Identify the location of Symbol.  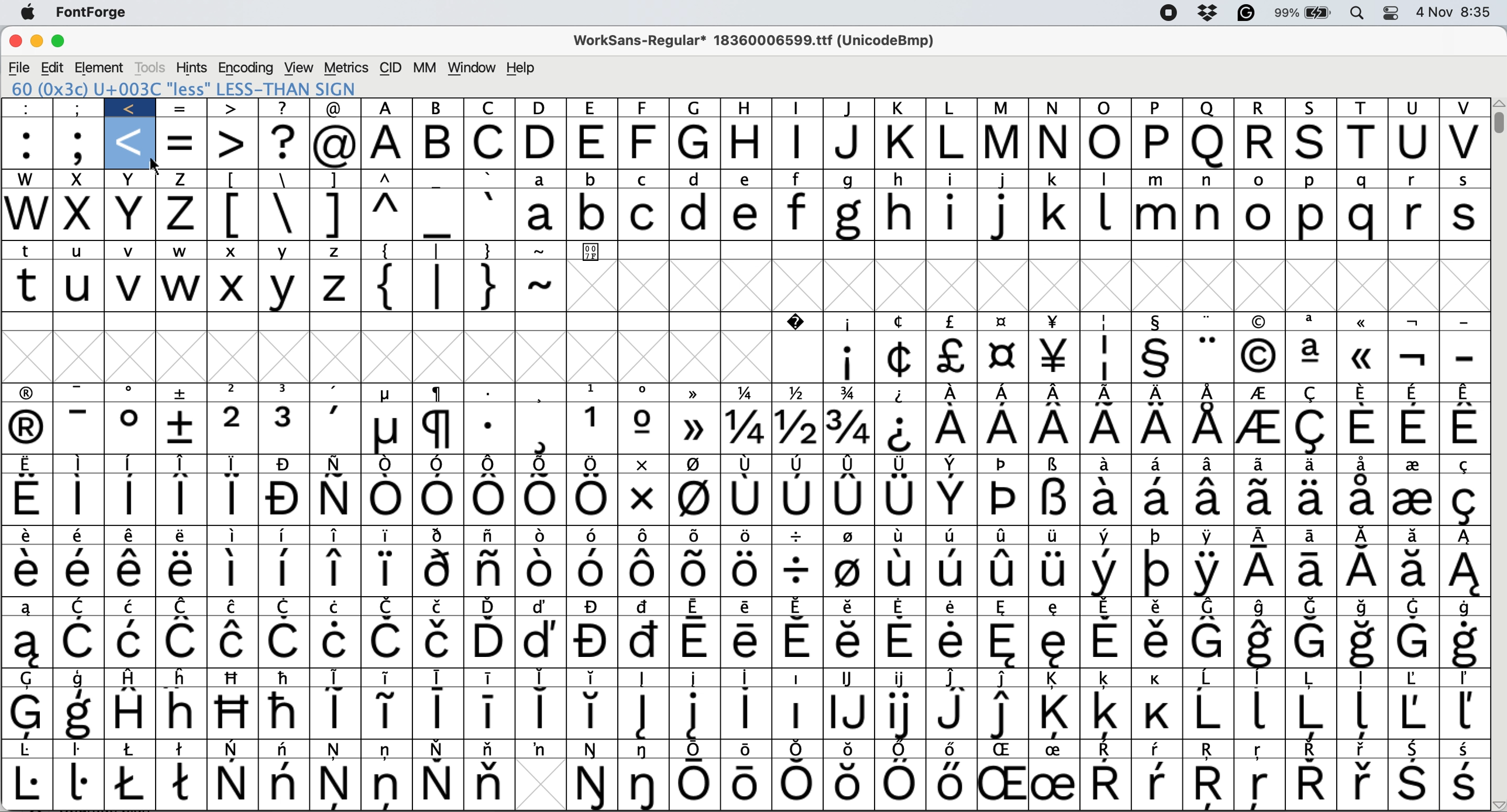
(538, 642).